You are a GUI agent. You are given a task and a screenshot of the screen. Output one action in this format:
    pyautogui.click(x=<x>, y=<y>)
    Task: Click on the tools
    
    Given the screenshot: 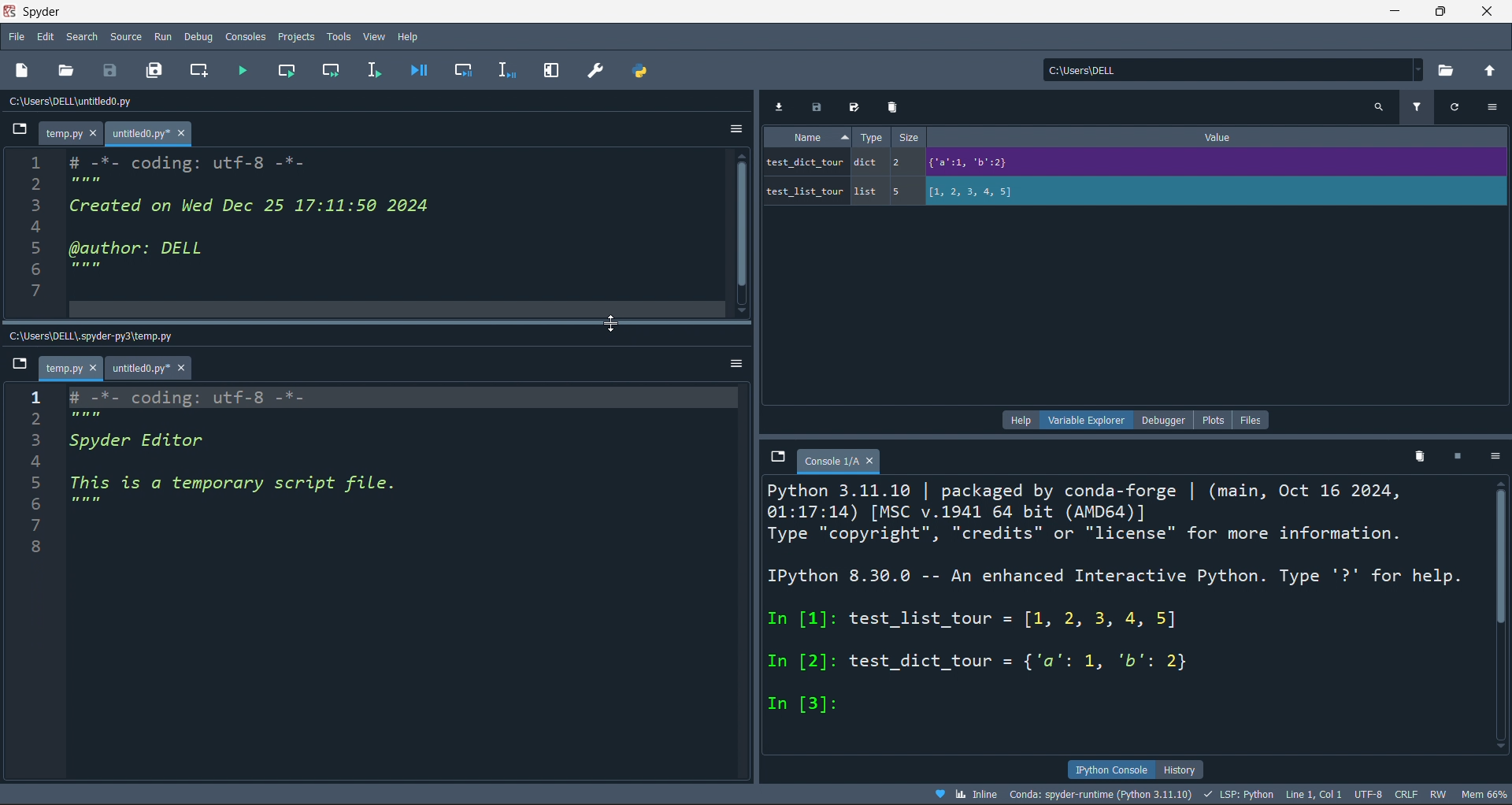 What is the action you would take?
    pyautogui.click(x=338, y=35)
    